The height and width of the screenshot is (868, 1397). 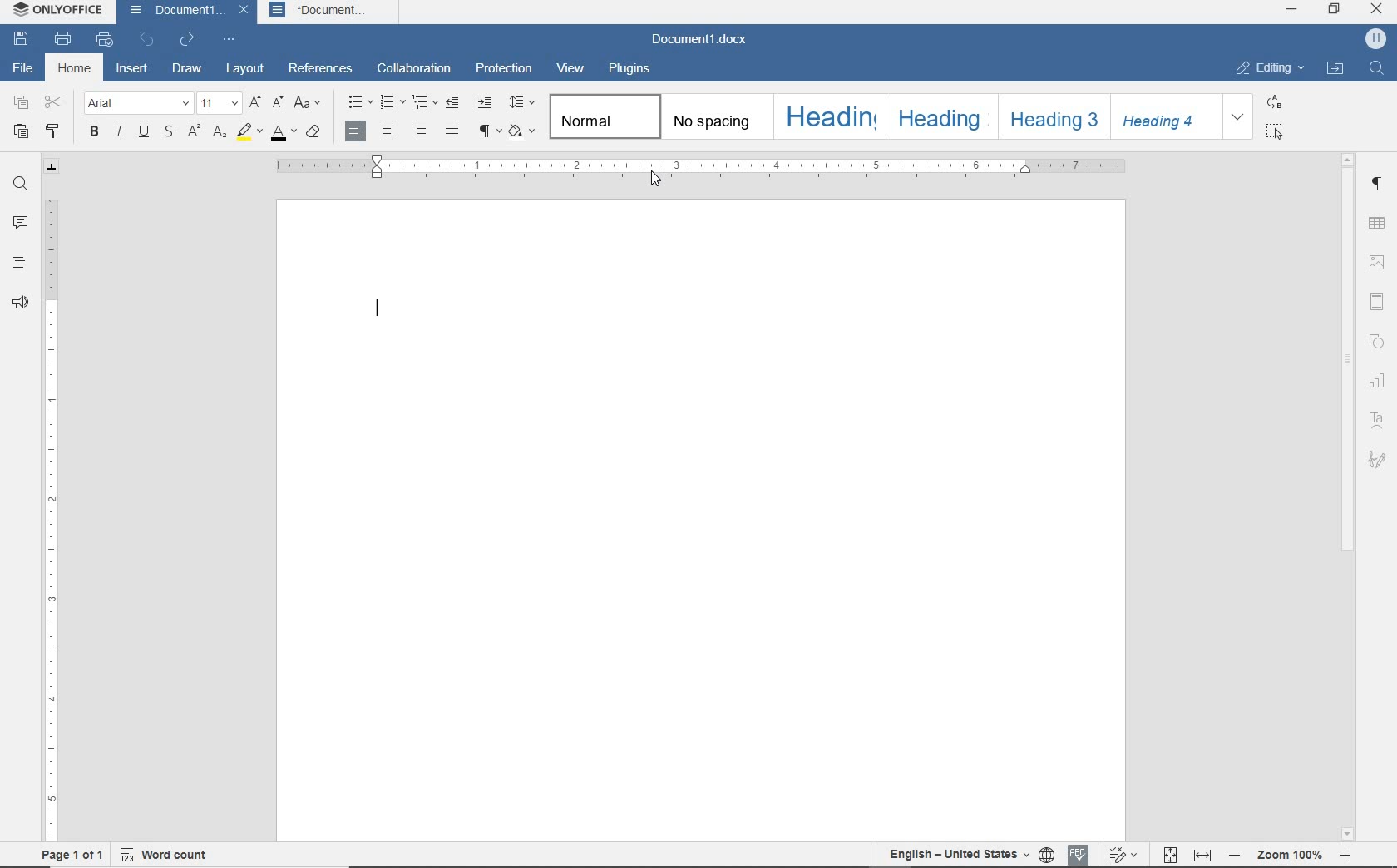 What do you see at coordinates (521, 103) in the screenshot?
I see `PARAGRAPH LINE SPACING` at bounding box center [521, 103].